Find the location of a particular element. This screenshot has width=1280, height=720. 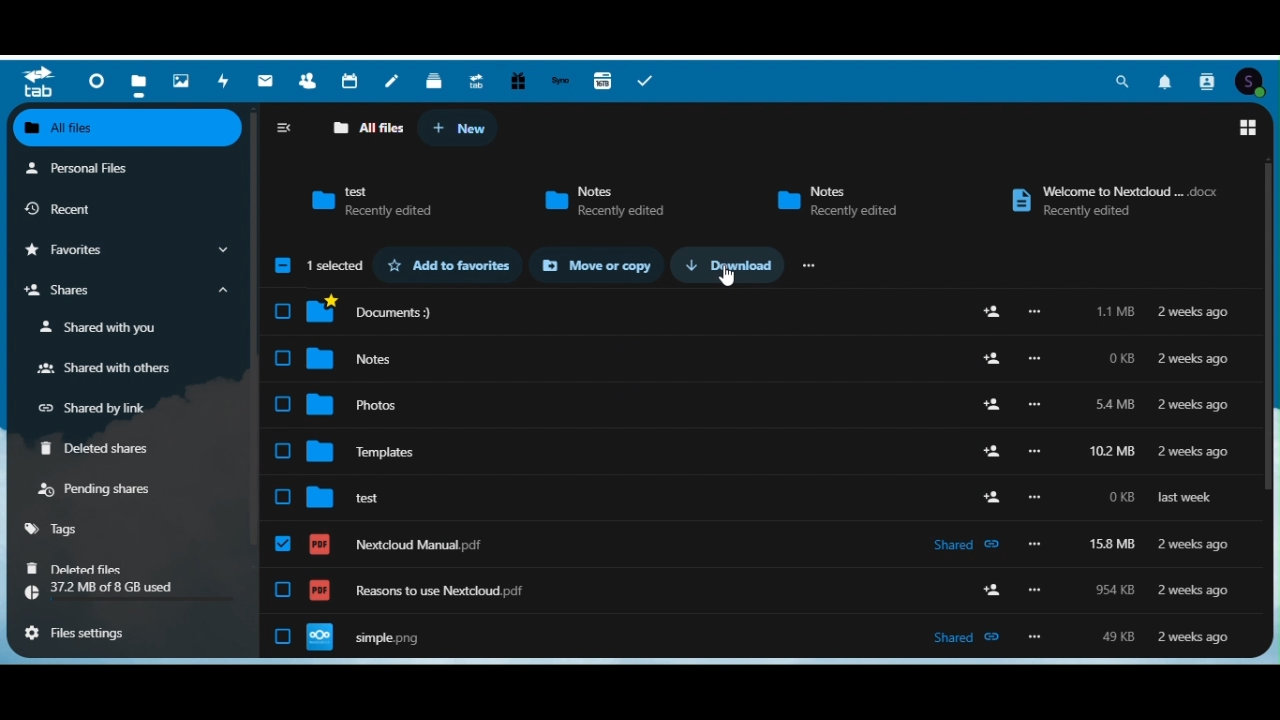

notes  is located at coordinates (761, 359).